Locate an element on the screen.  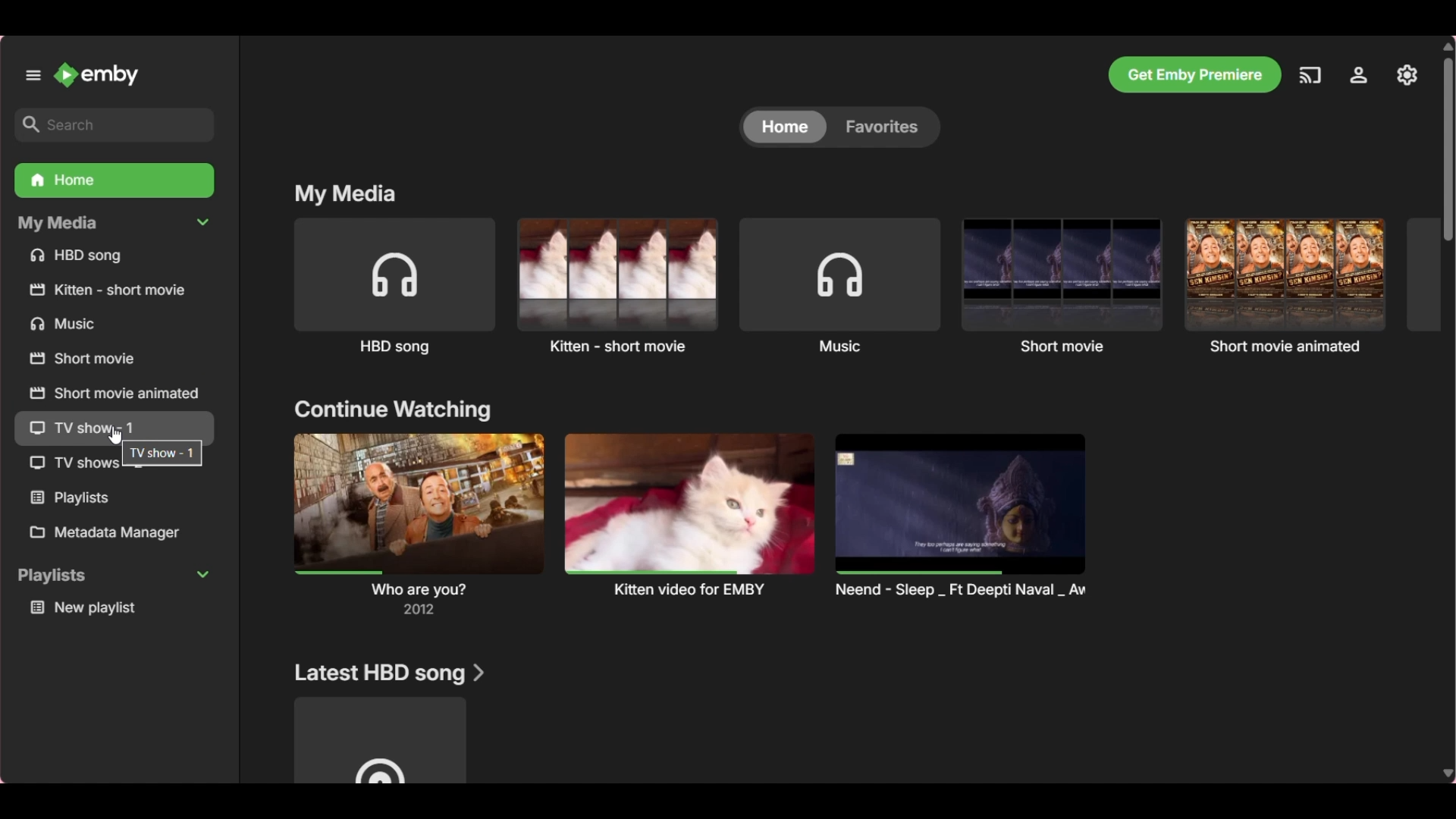
Unpin left panel is located at coordinates (33, 75).